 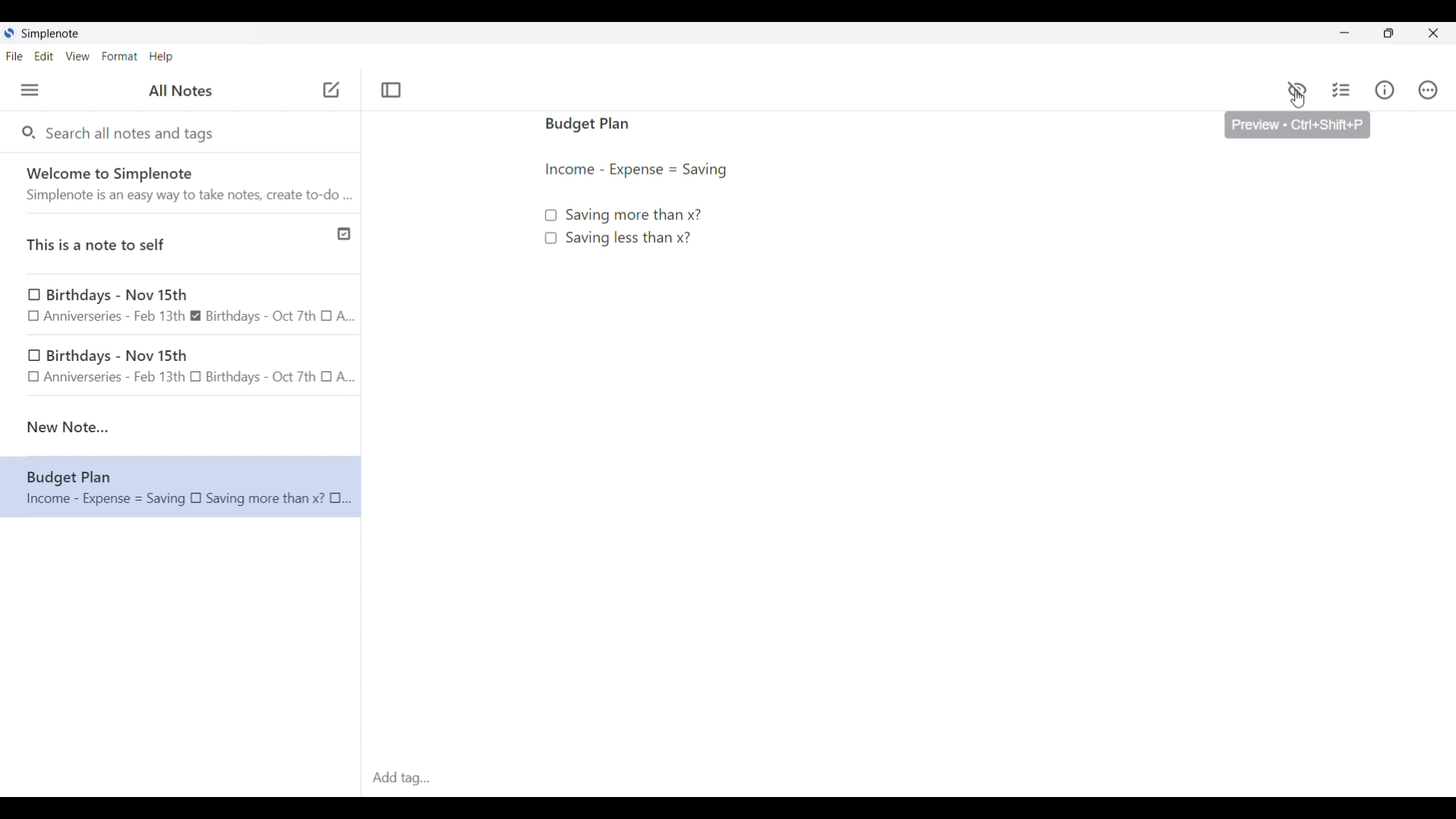 What do you see at coordinates (180, 427) in the screenshot?
I see `new note` at bounding box center [180, 427].